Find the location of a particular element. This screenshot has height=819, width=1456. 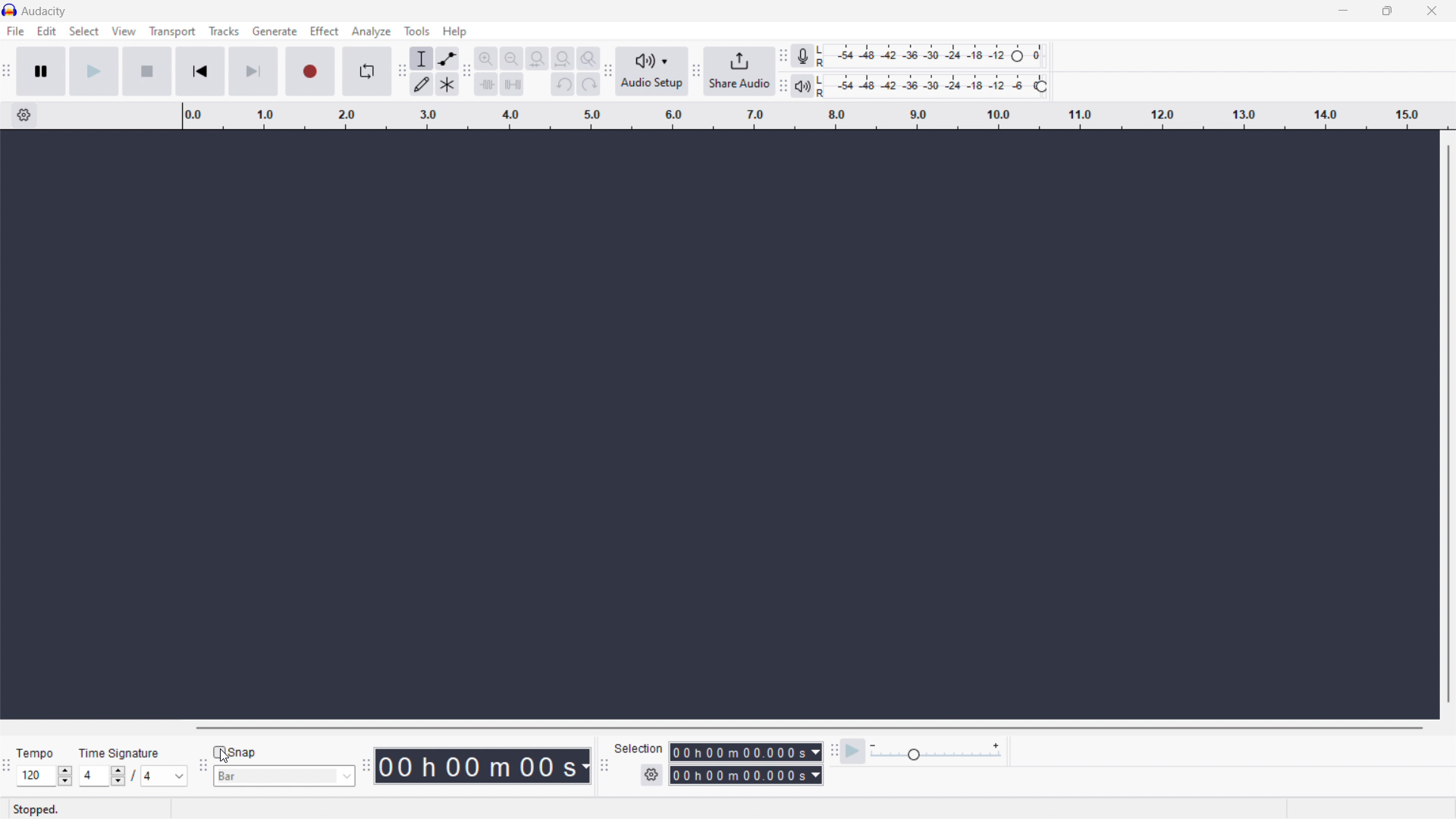

redo is located at coordinates (588, 83).